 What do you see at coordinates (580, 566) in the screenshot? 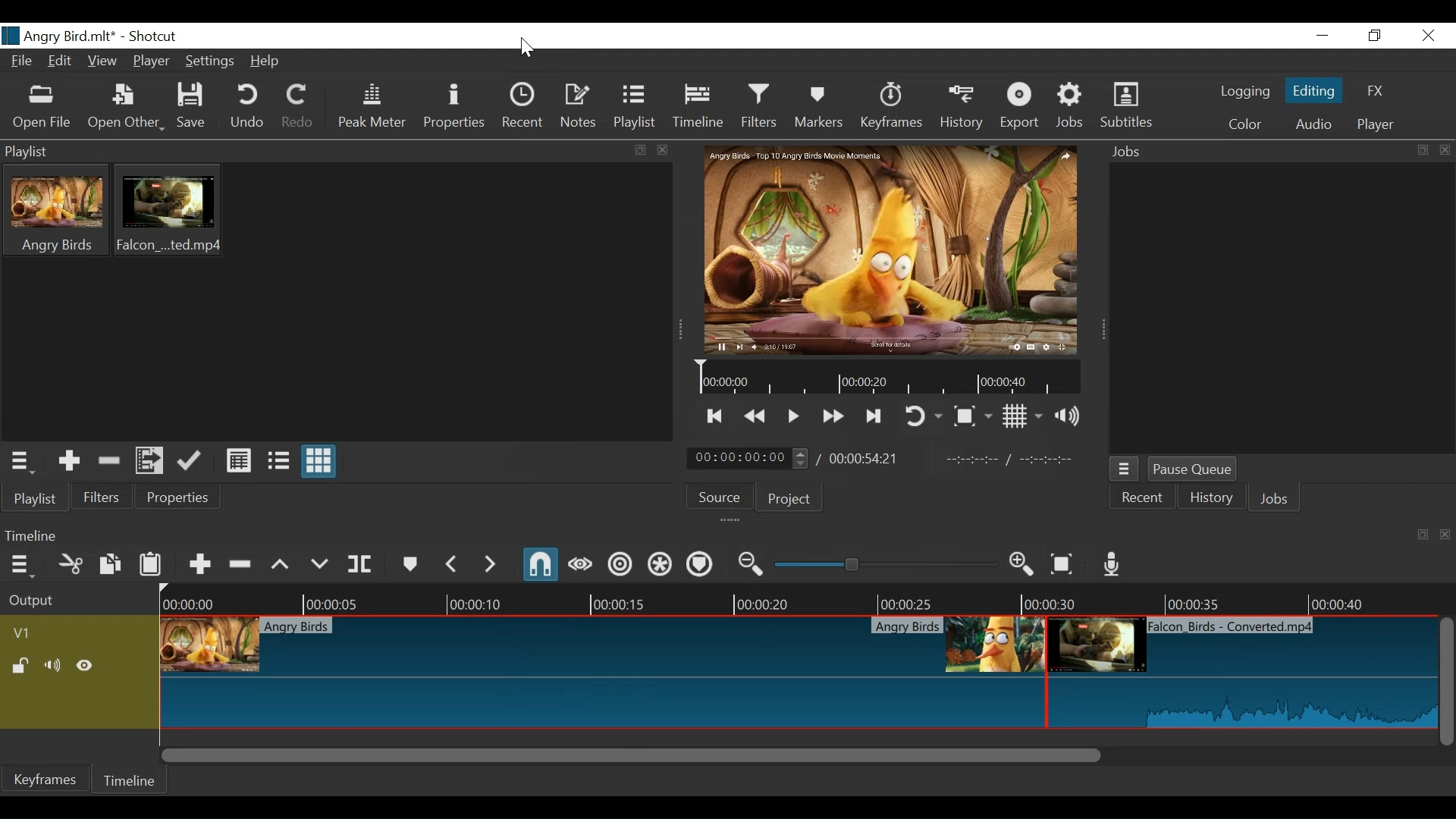
I see `Scrub while dragging` at bounding box center [580, 566].